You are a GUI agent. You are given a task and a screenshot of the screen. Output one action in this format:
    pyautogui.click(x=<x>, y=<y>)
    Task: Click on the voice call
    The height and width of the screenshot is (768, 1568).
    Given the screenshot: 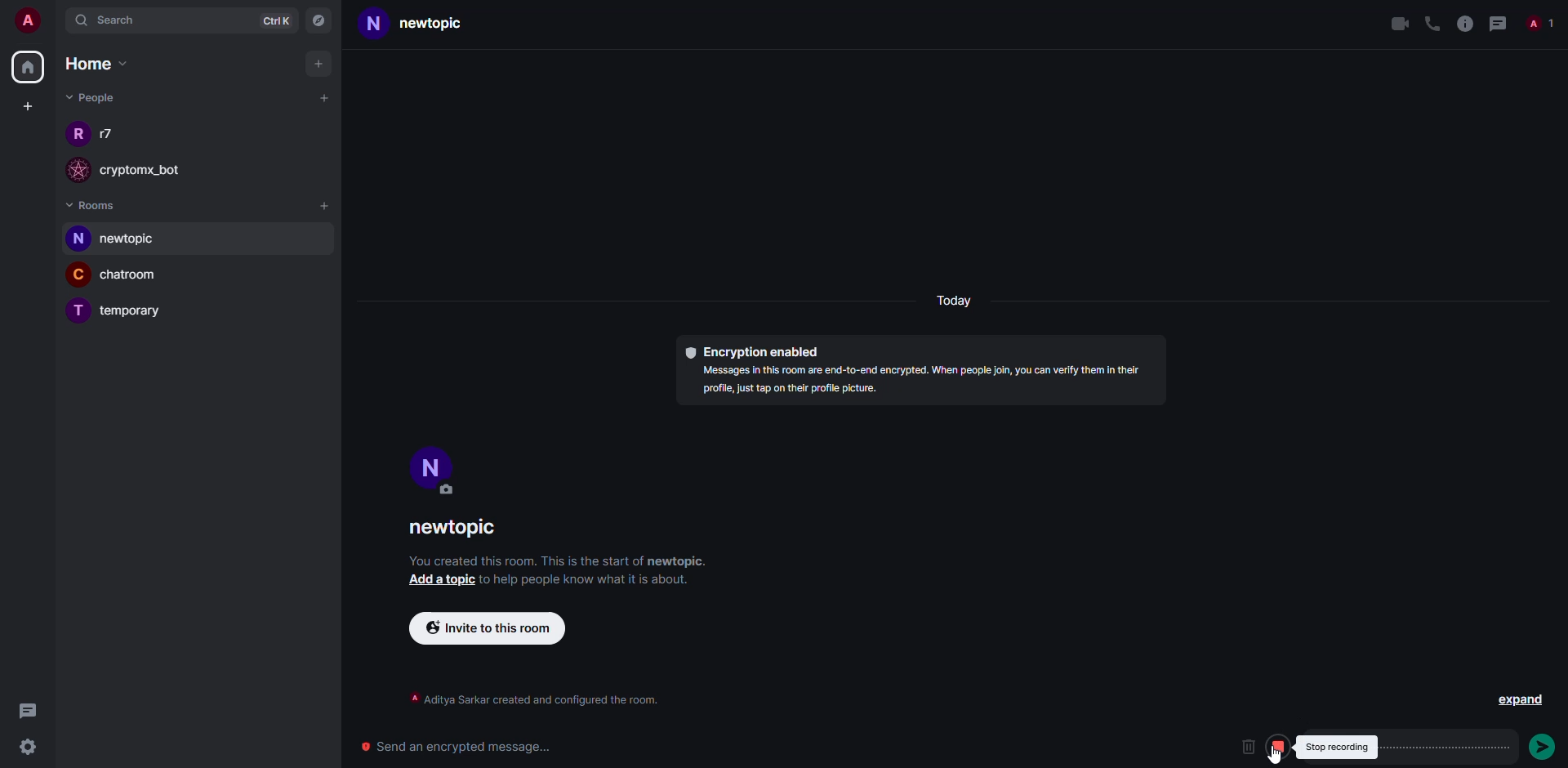 What is the action you would take?
    pyautogui.click(x=1429, y=23)
    